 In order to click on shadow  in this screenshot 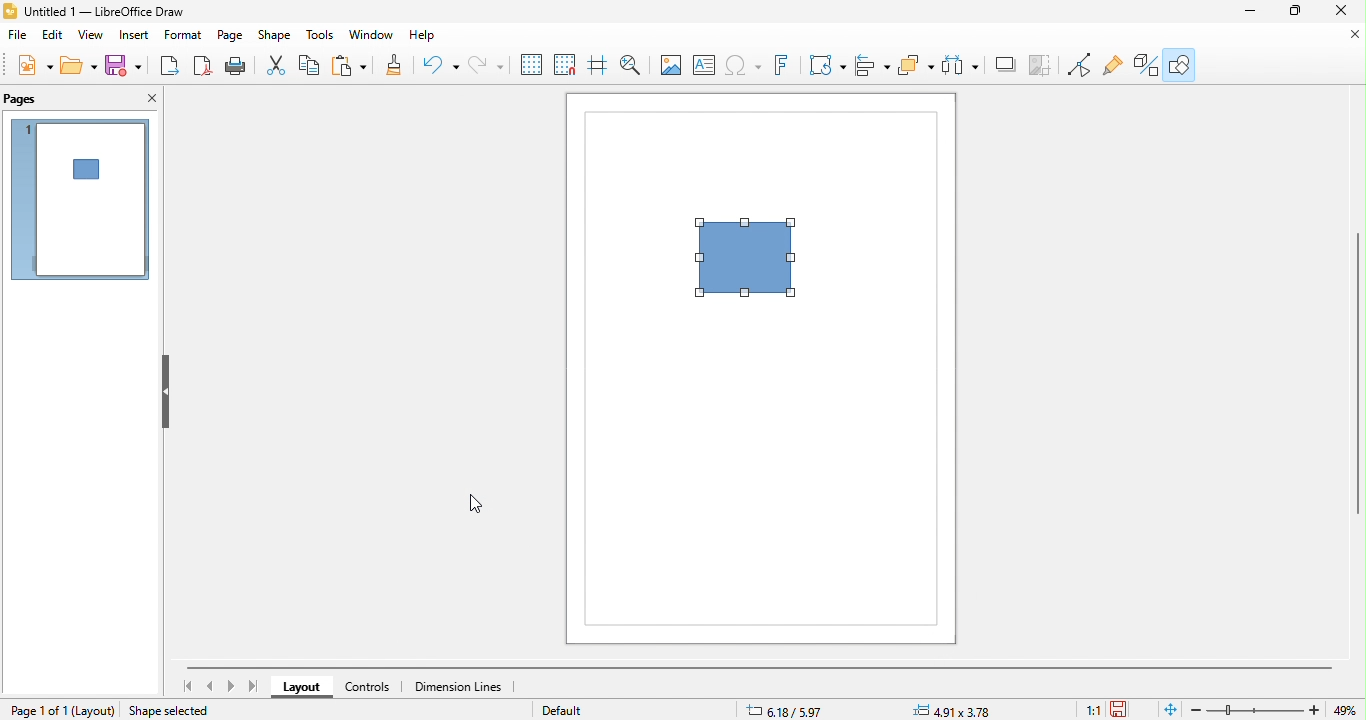, I will do `click(960, 66)`.